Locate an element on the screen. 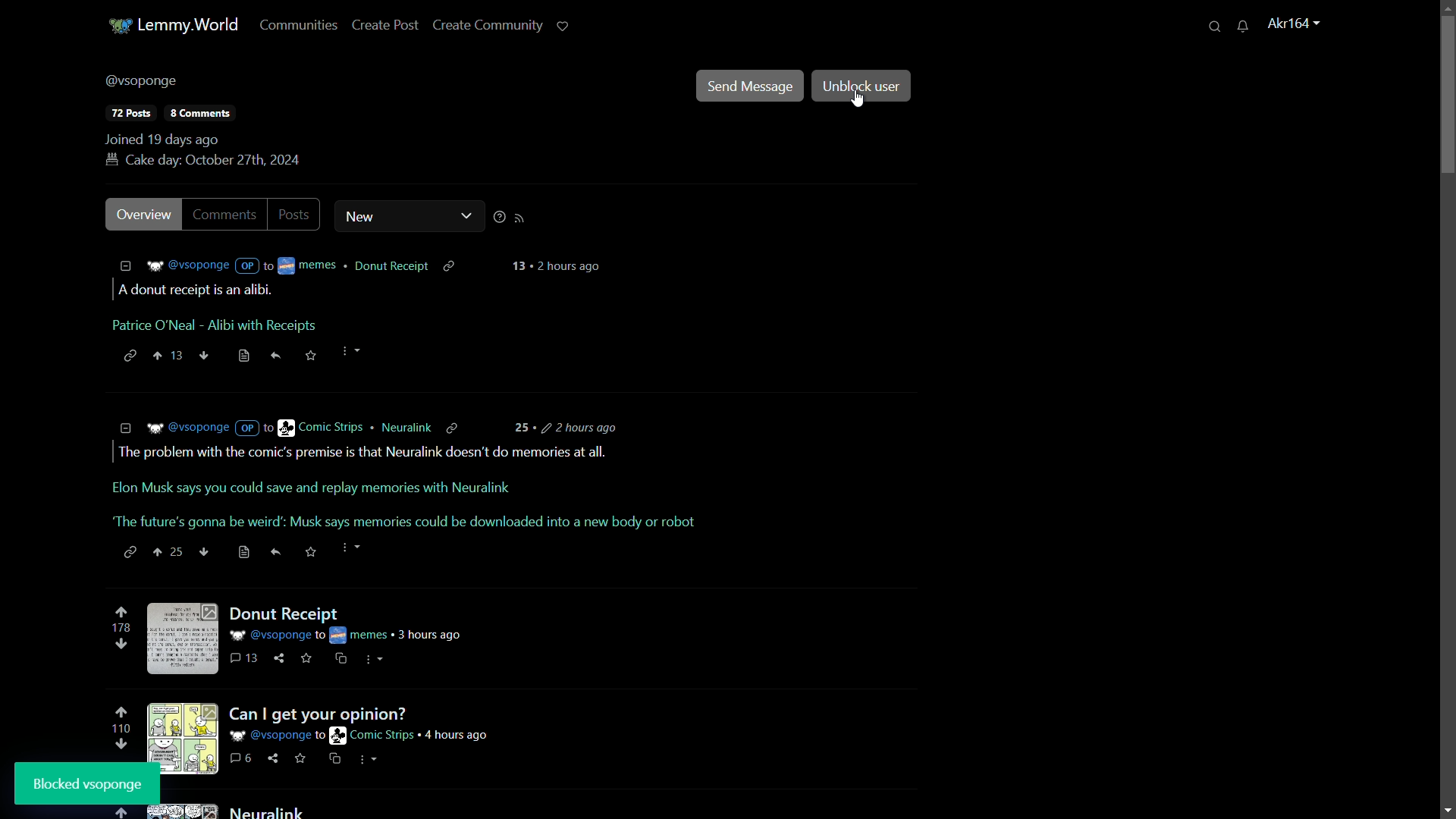 The height and width of the screenshot is (819, 1456). number of votes is located at coordinates (124, 627).